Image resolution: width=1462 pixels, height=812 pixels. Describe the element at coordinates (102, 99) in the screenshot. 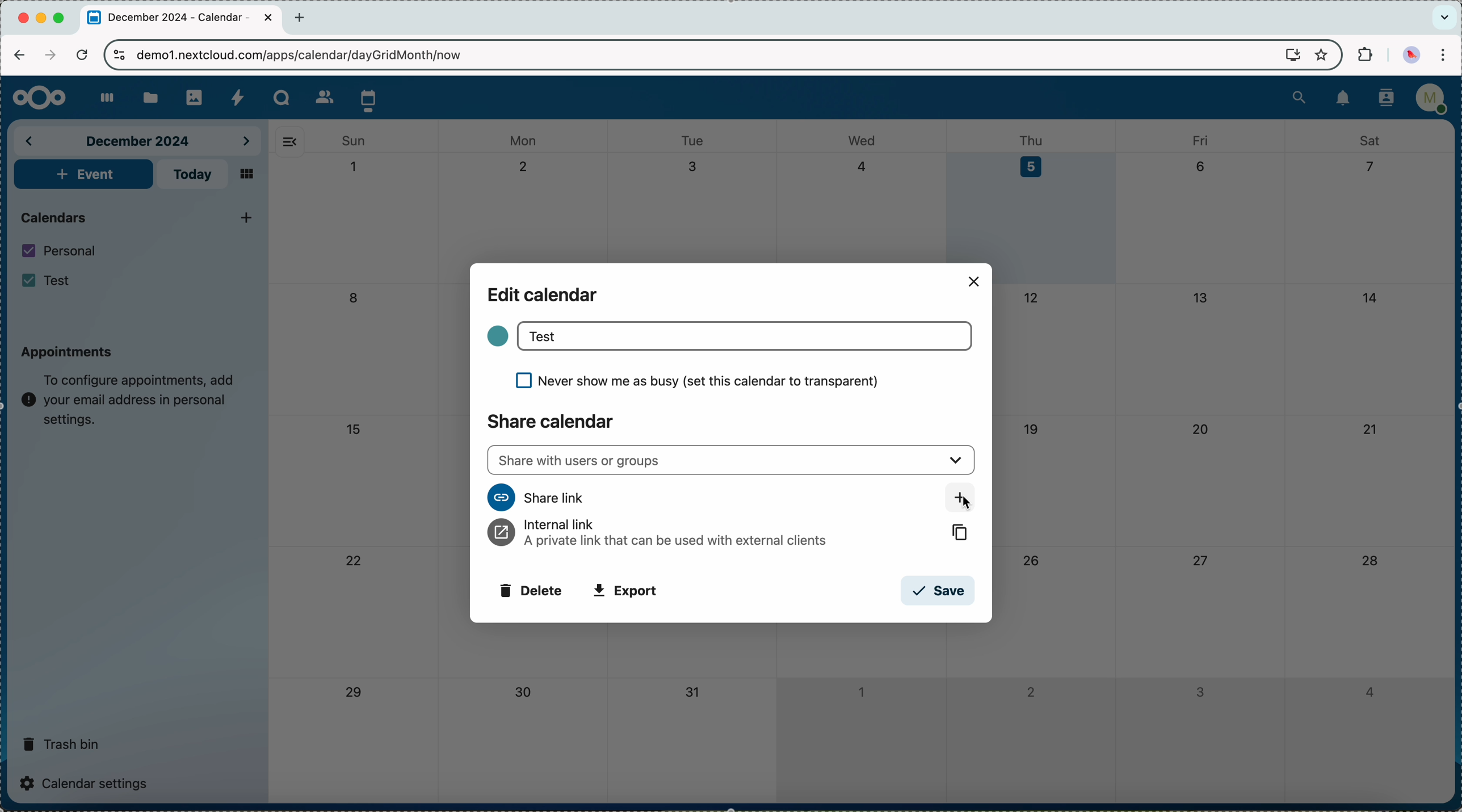

I see `dashboard` at that location.